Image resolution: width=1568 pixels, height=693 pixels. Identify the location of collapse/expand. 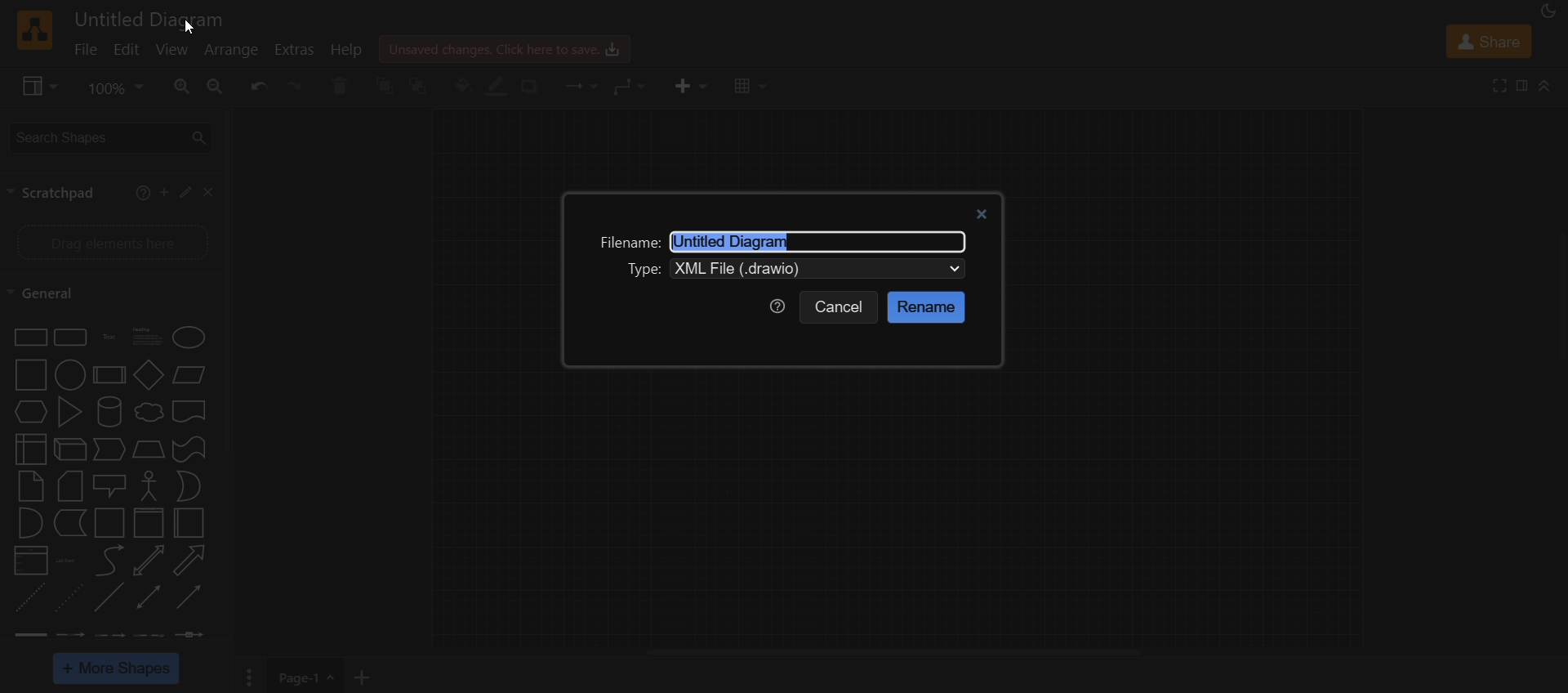
(1545, 87).